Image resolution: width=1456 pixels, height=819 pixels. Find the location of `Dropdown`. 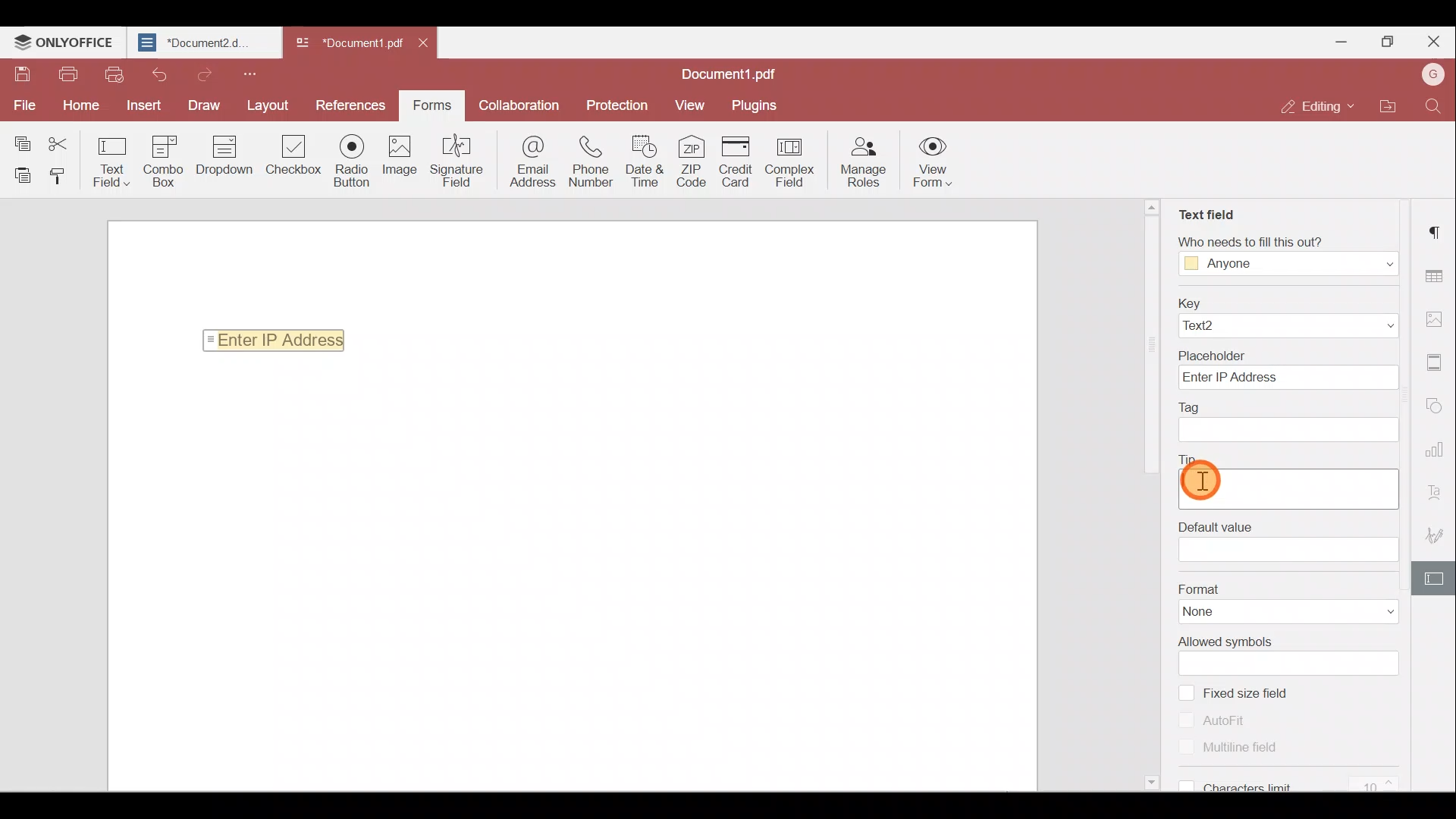

Dropdown is located at coordinates (1373, 262).